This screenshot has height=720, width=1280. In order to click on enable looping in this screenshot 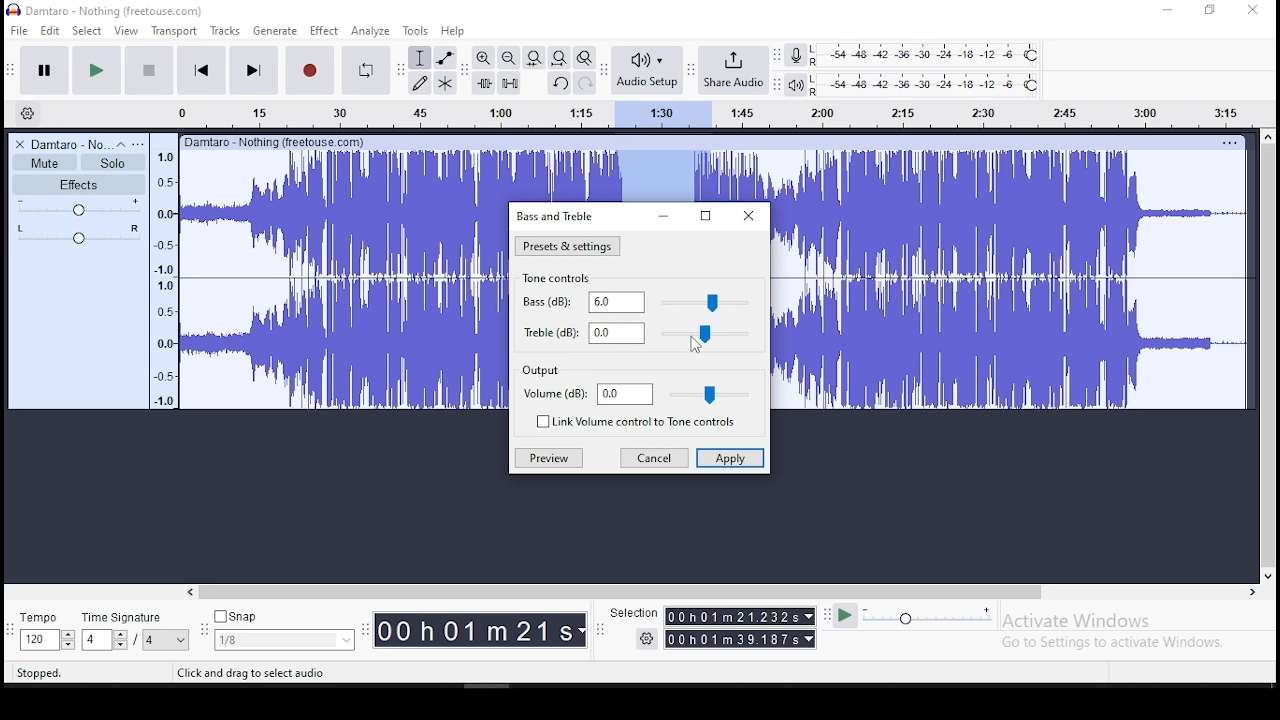, I will do `click(364, 71)`.